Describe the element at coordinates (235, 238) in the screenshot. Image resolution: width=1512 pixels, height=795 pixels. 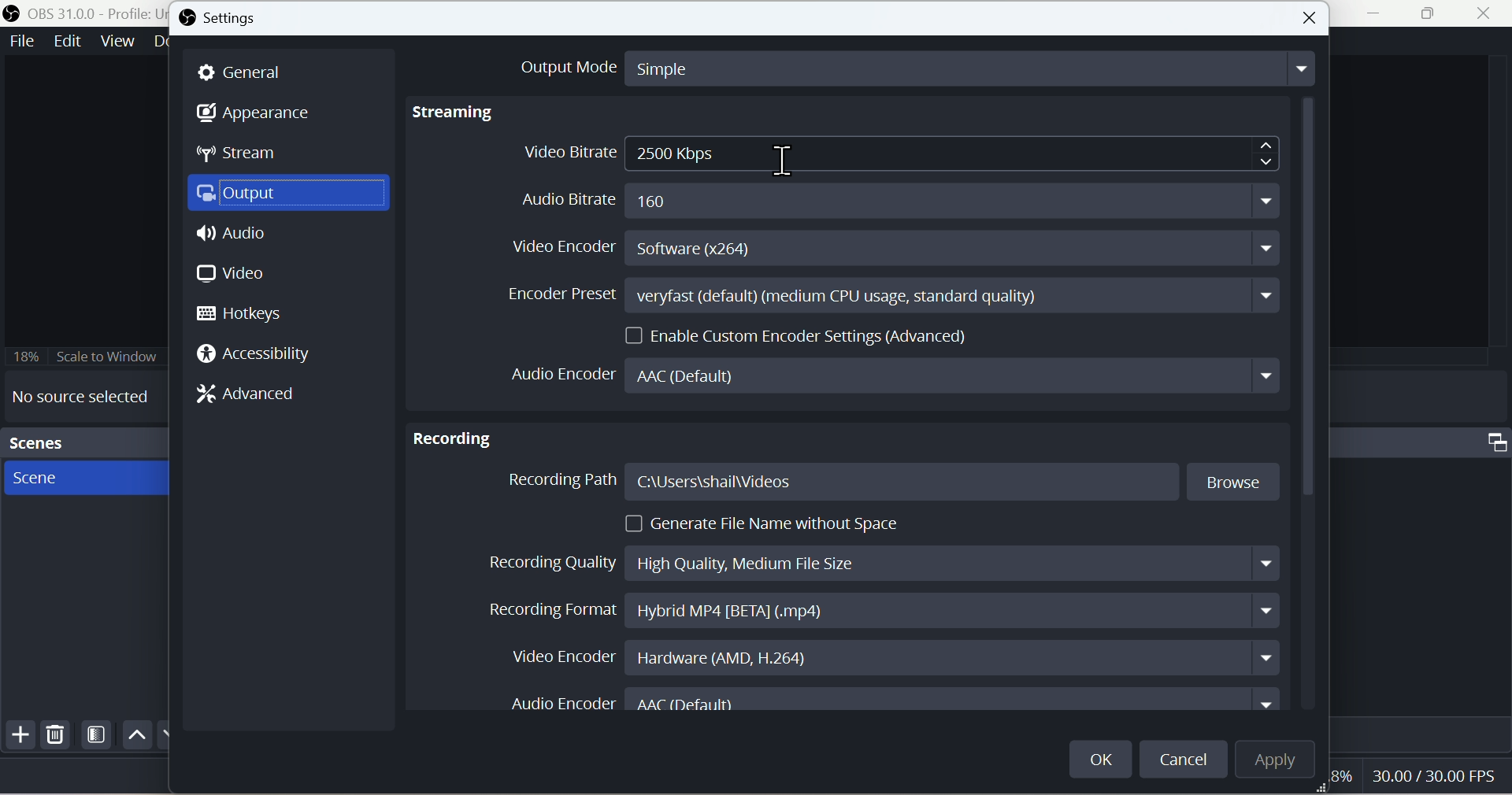
I see `Audio` at that location.